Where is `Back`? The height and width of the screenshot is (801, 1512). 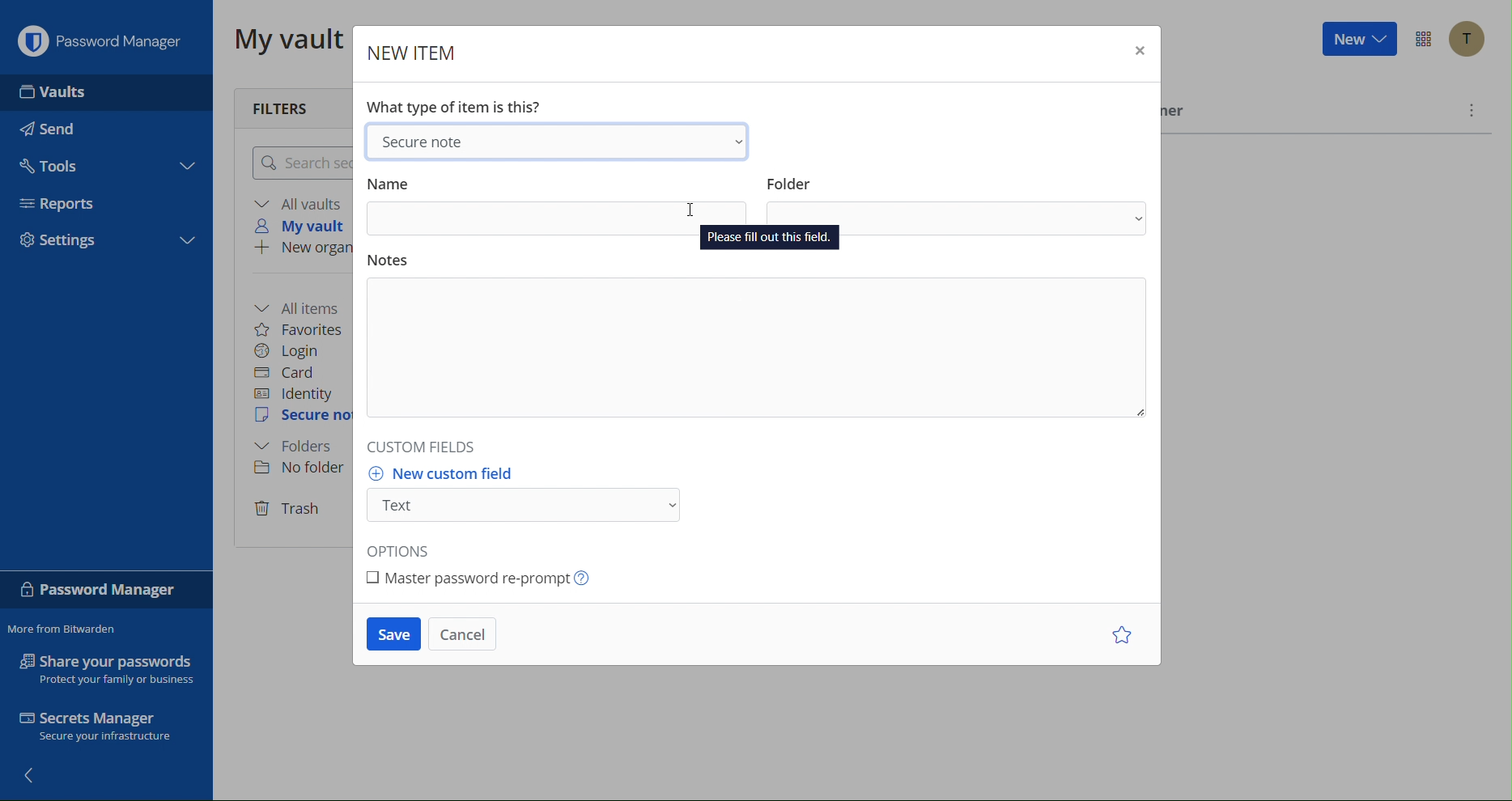 Back is located at coordinates (35, 778).